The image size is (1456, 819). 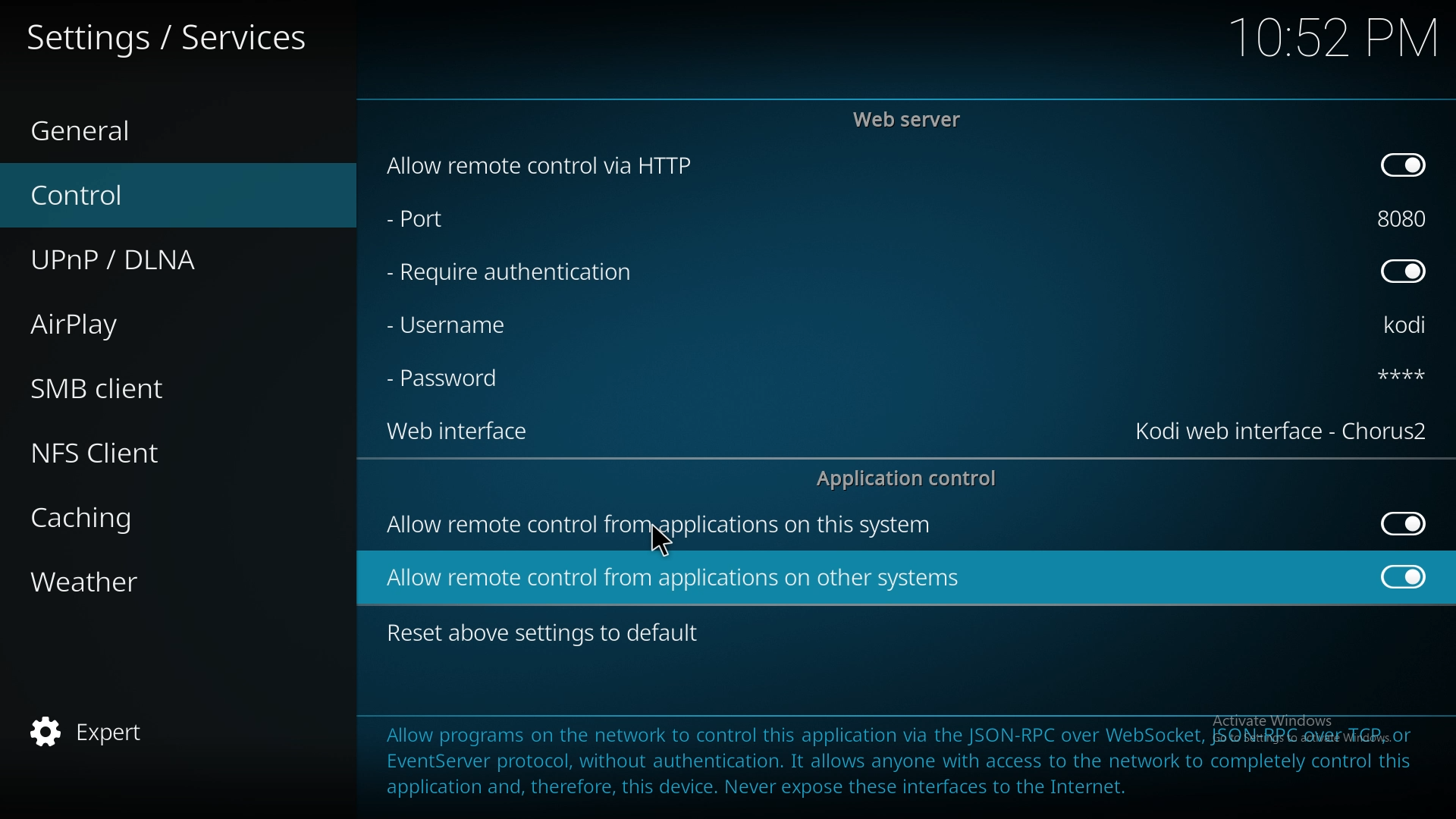 I want to click on allow remote control via http, so click(x=537, y=165).